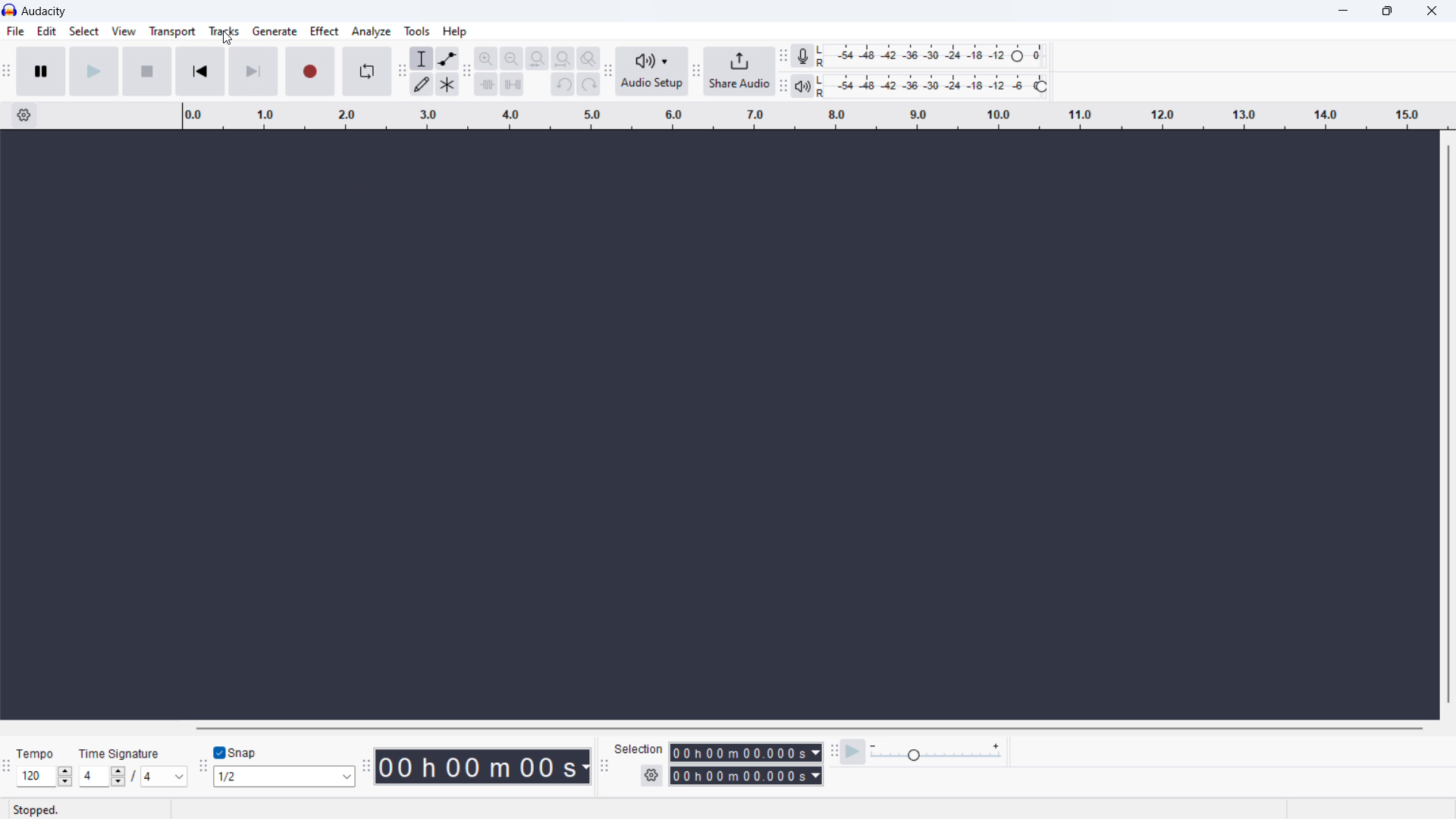 The image size is (1456, 819). What do you see at coordinates (8, 72) in the screenshot?
I see `transport toolbar` at bounding box center [8, 72].